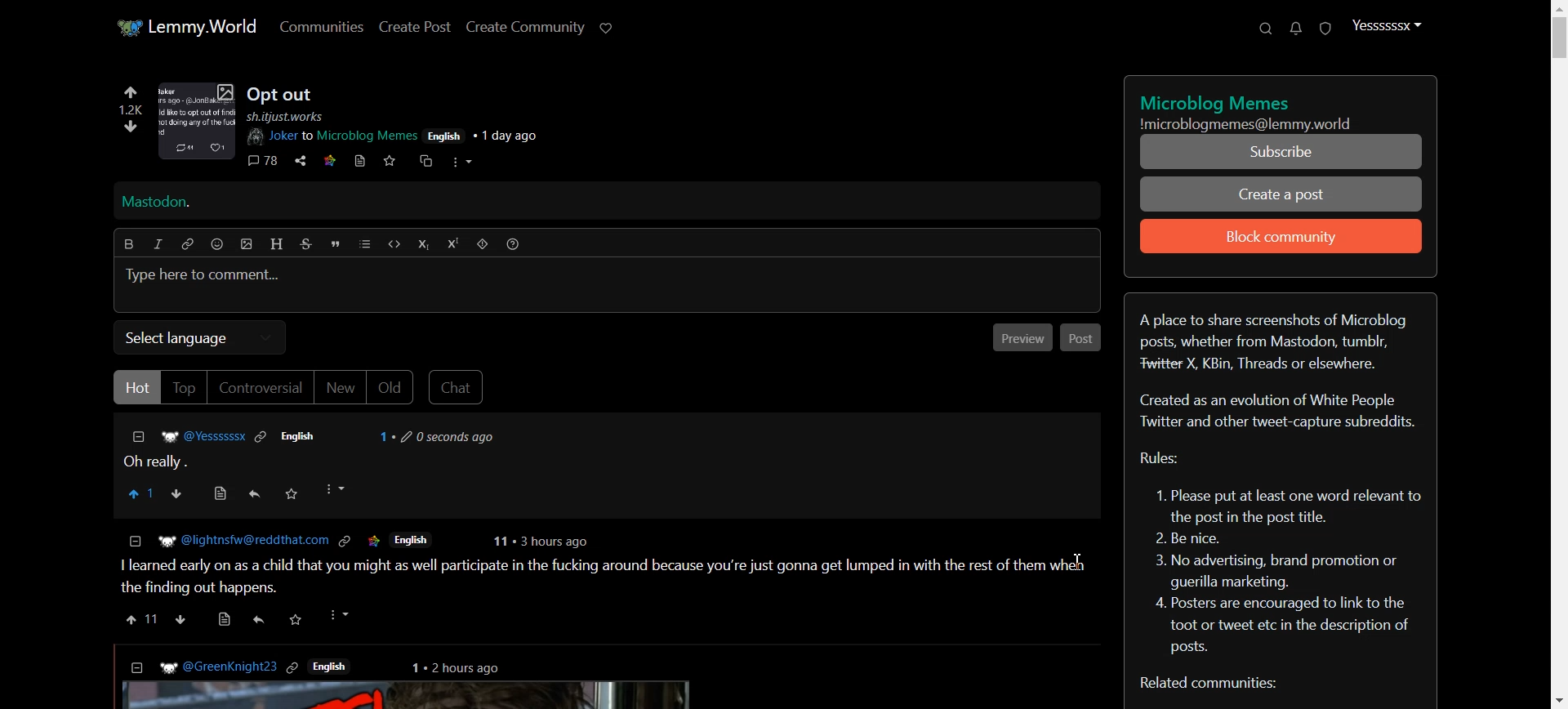 The height and width of the screenshot is (709, 1568). What do you see at coordinates (608, 29) in the screenshot?
I see `Support Lemmy` at bounding box center [608, 29].